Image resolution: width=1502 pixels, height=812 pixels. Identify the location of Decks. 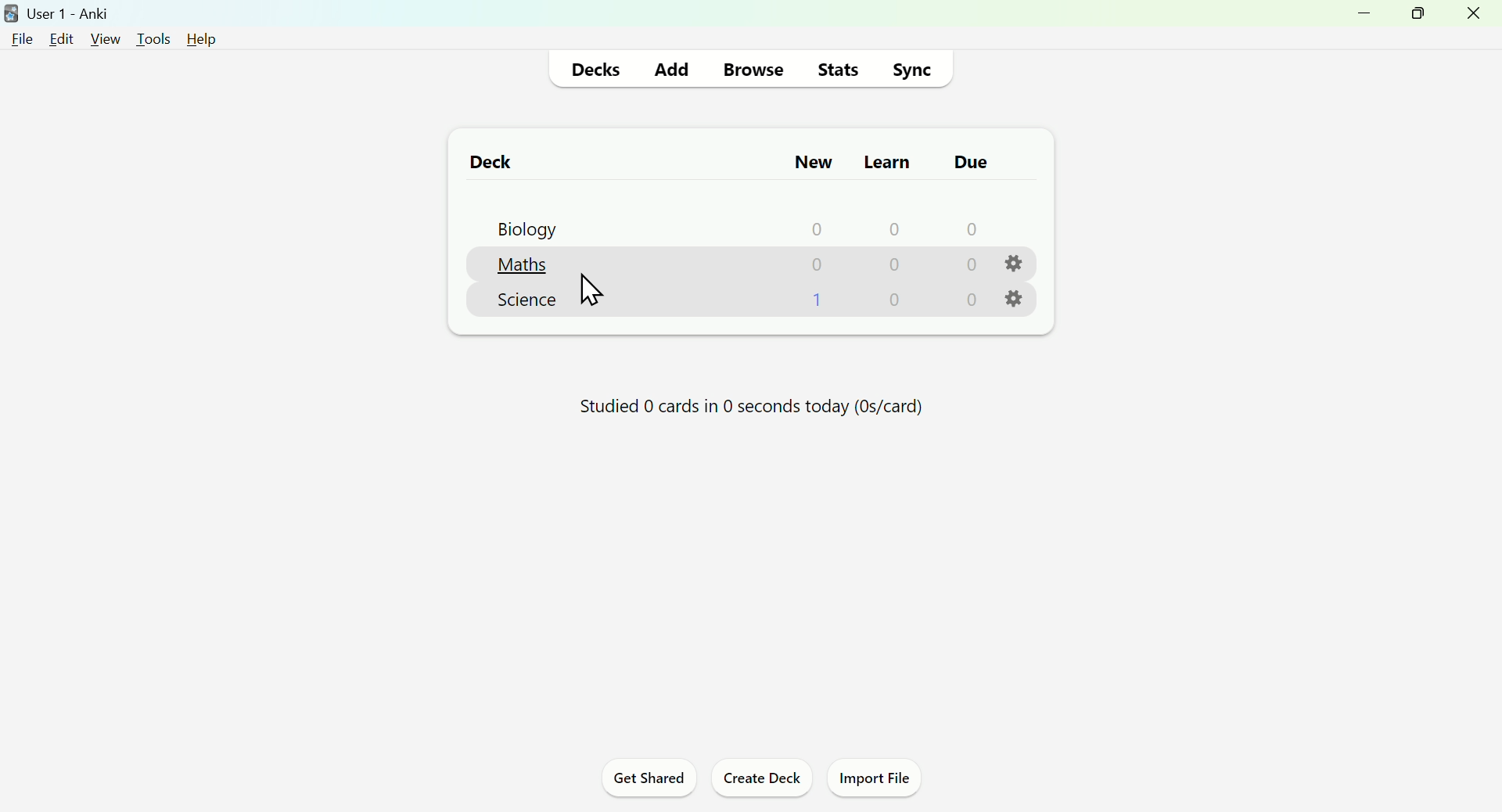
(596, 70).